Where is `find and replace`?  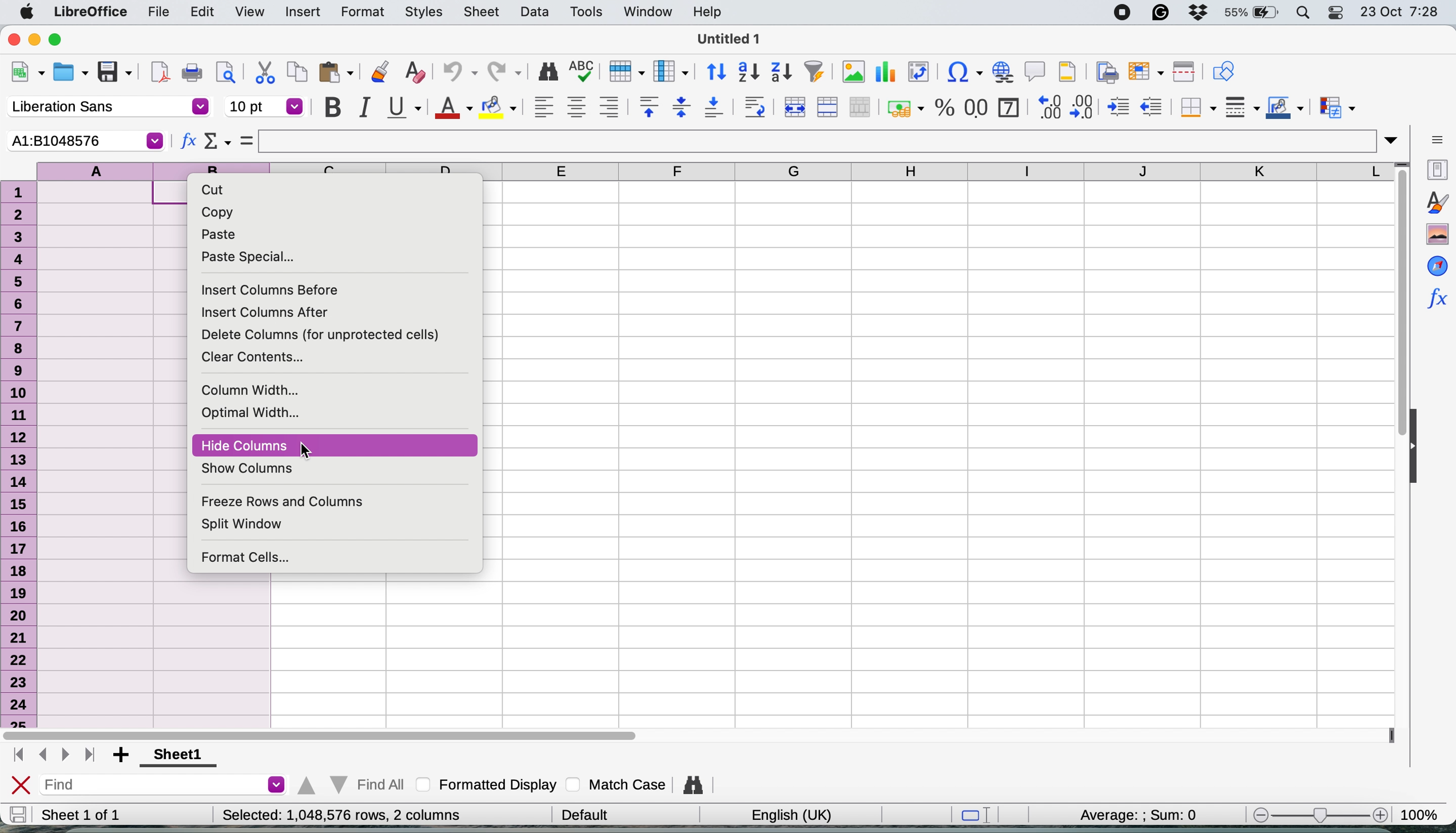
find and replace is located at coordinates (544, 71).